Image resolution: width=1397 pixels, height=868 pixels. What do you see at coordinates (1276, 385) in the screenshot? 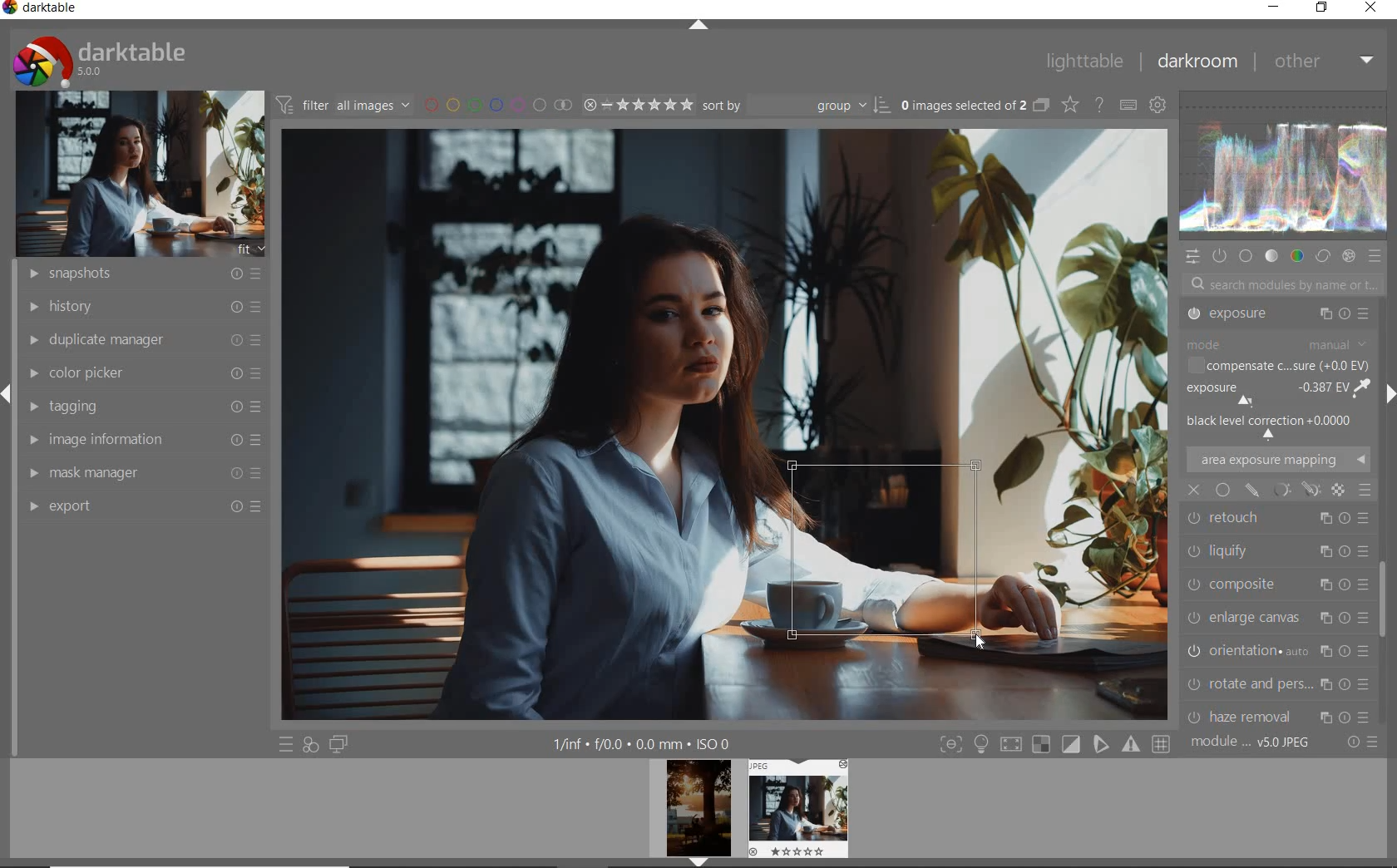
I see `EXPOSURE` at bounding box center [1276, 385].